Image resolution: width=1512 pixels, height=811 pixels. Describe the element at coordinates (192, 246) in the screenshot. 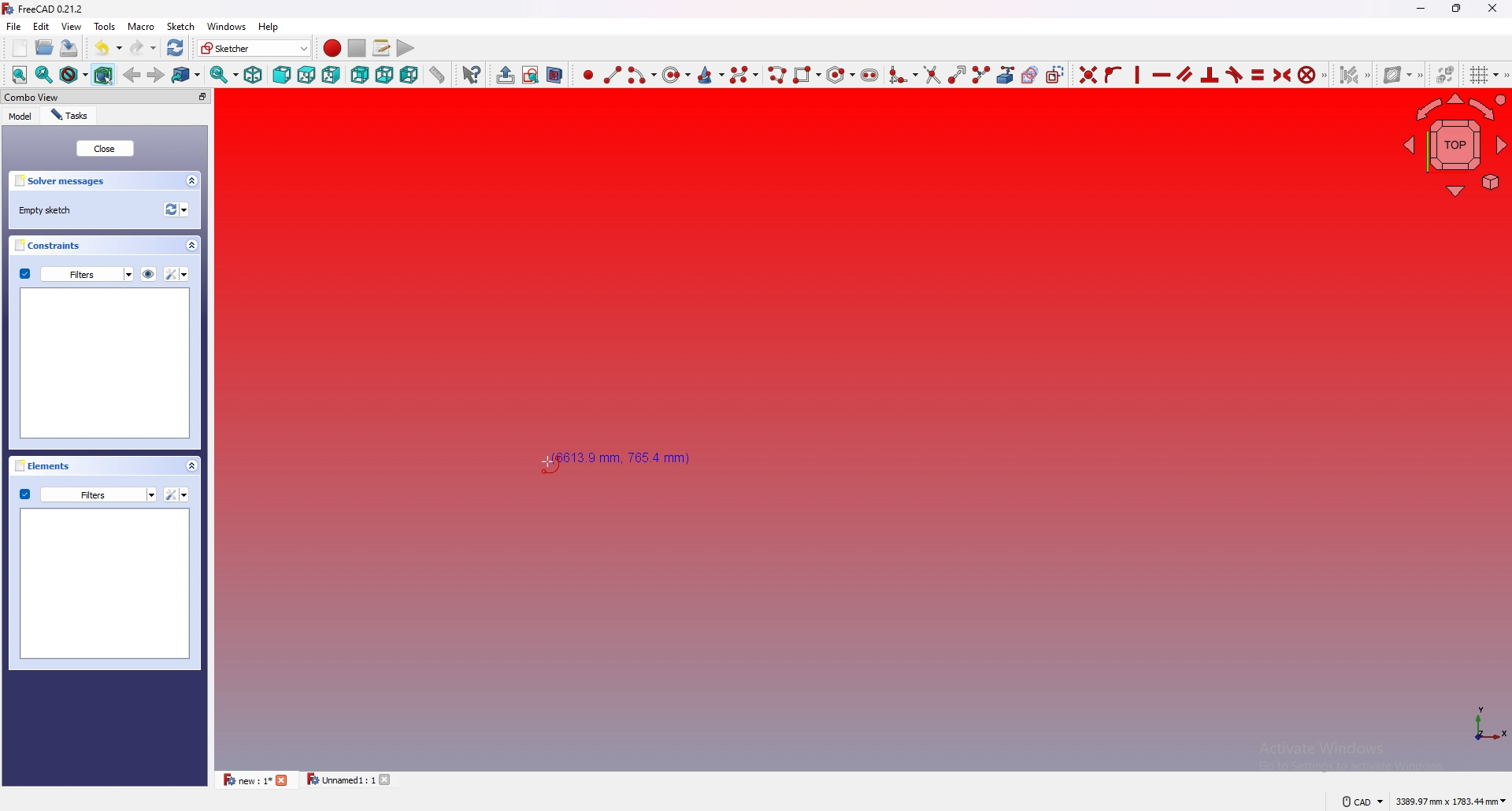

I see `collapse` at that location.